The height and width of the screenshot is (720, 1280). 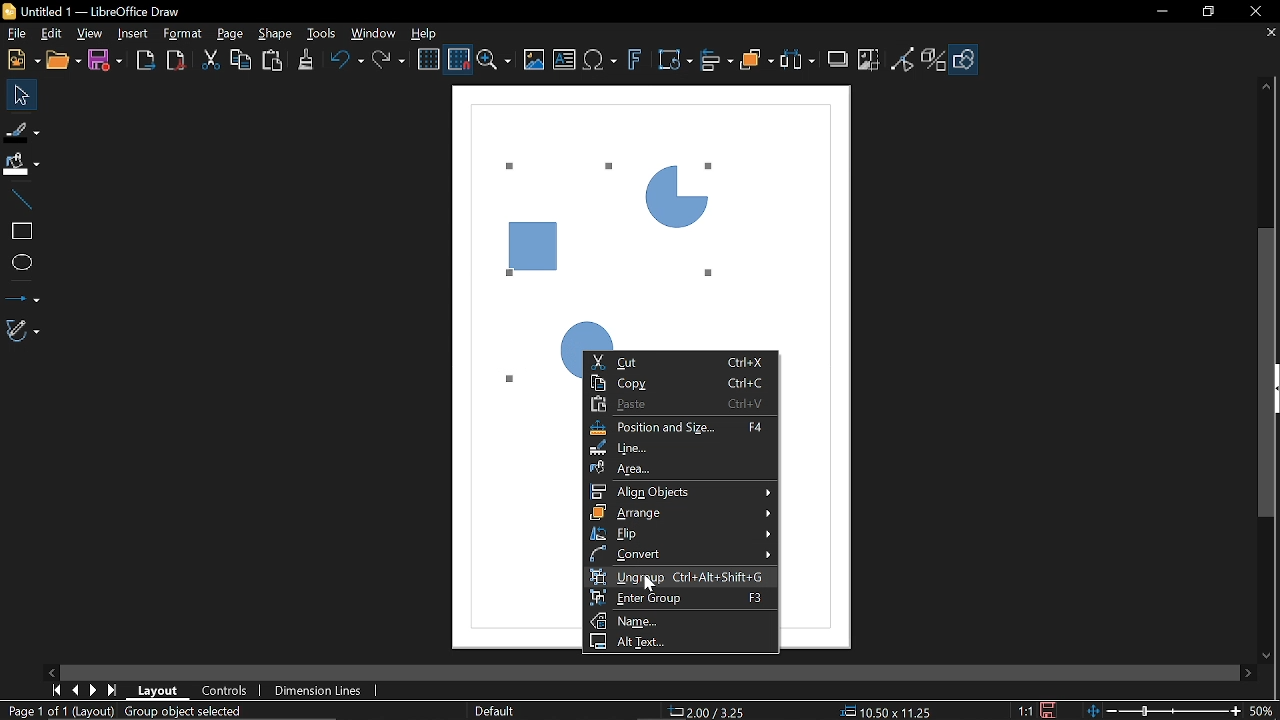 I want to click on Name, so click(x=675, y=621).